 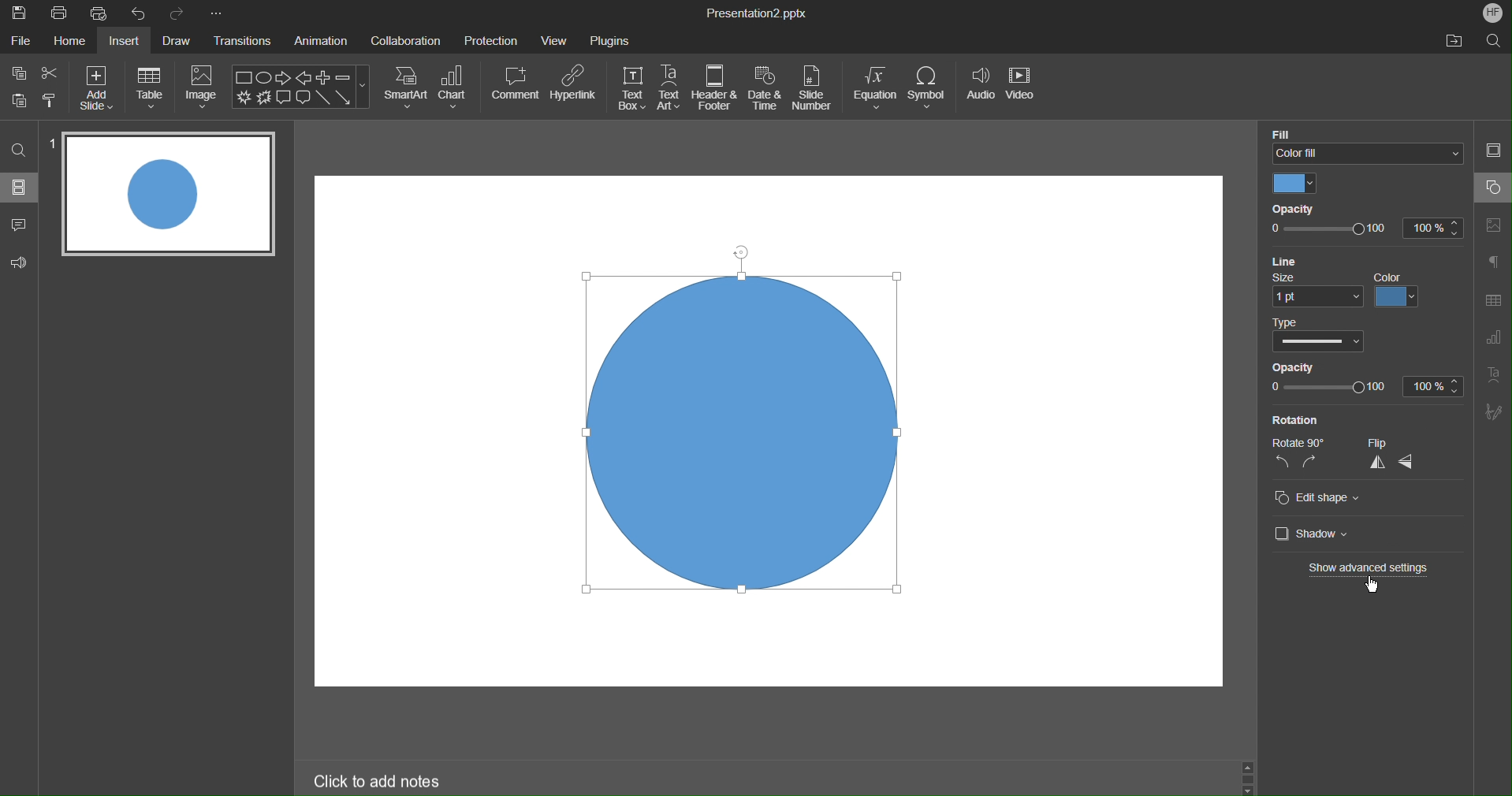 What do you see at coordinates (142, 13) in the screenshot?
I see `Undo` at bounding box center [142, 13].